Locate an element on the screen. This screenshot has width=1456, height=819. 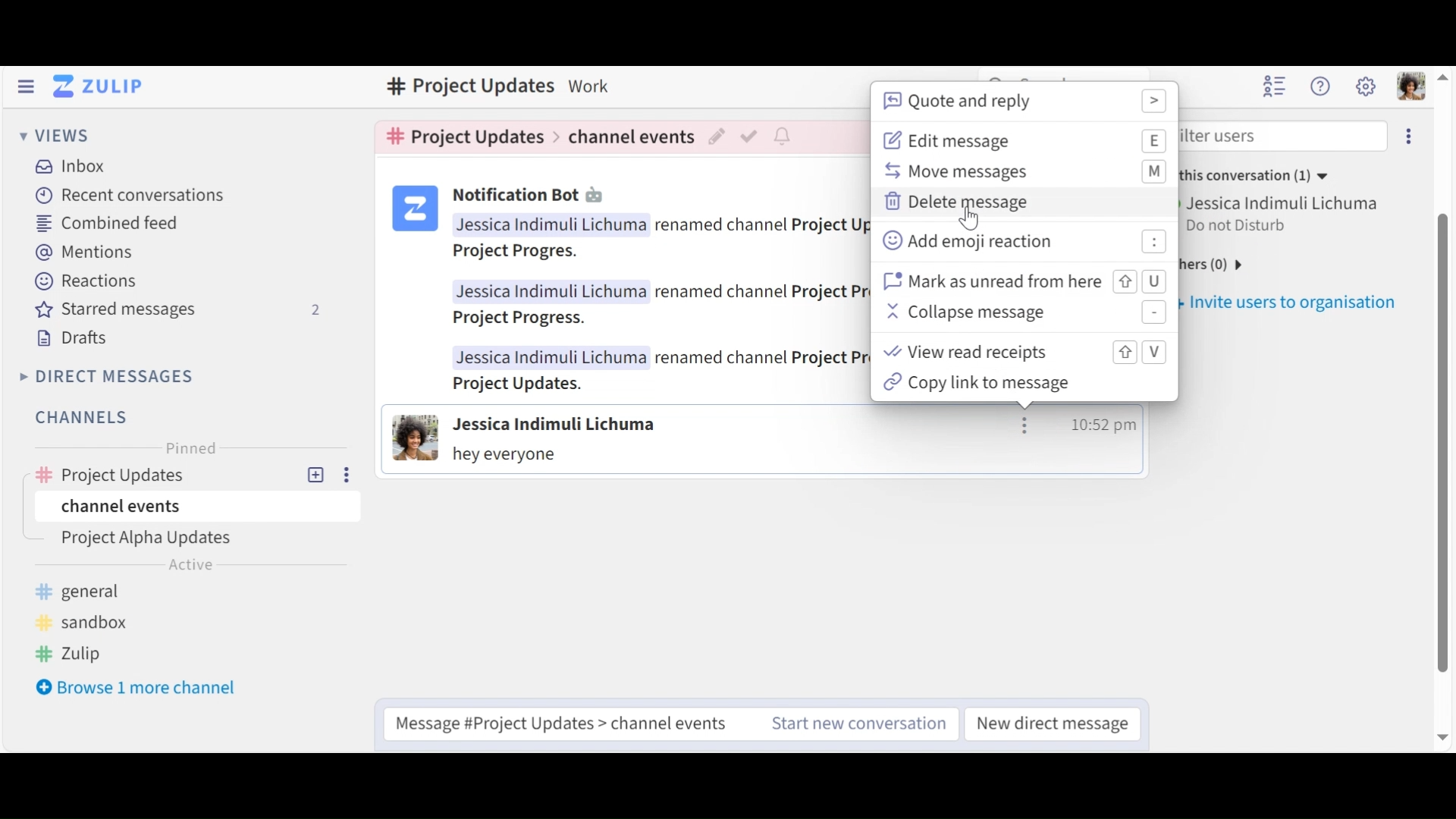
Message is located at coordinates (504, 457).